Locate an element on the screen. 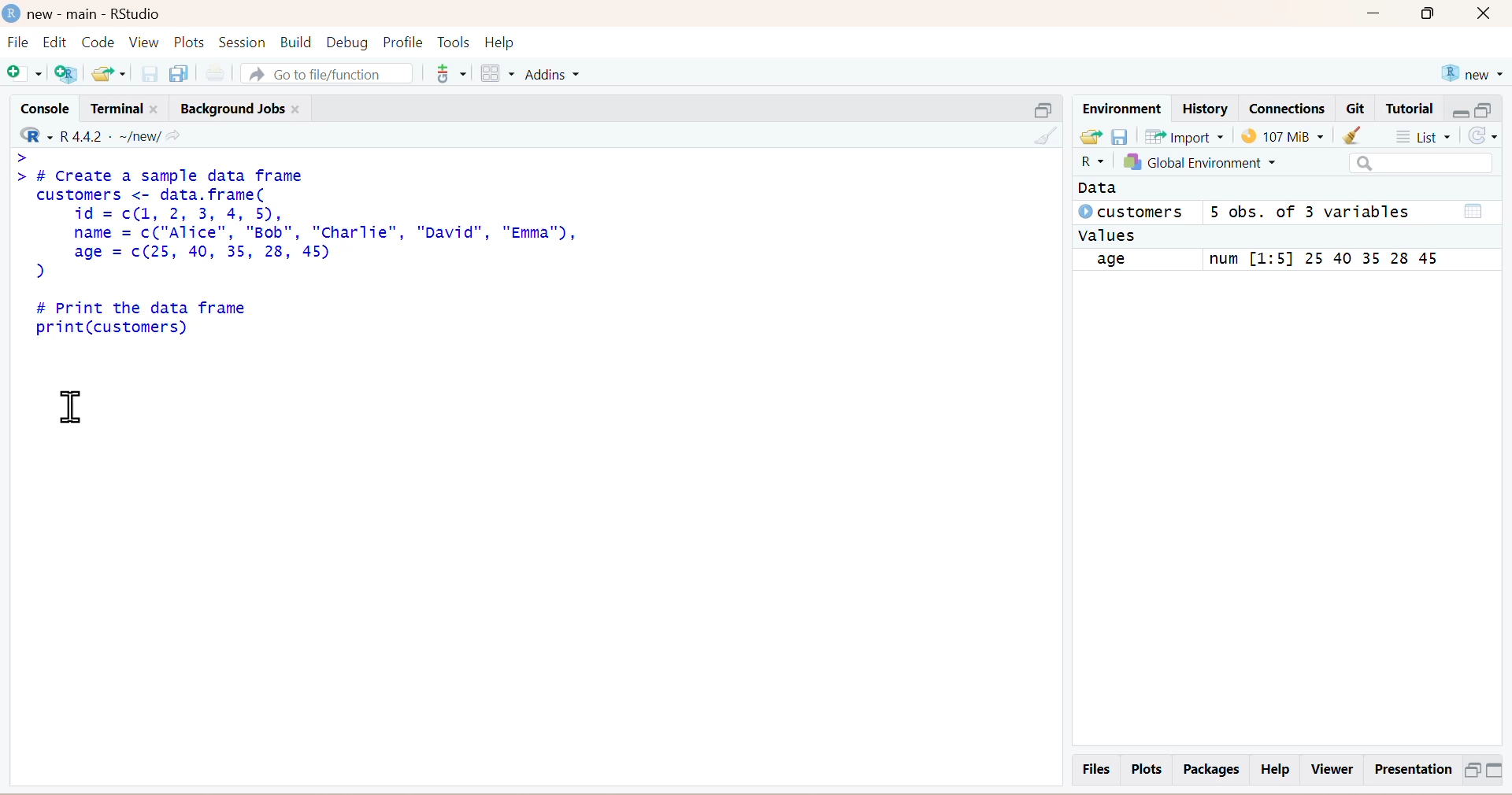 The width and height of the screenshot is (1512, 795). View is located at coordinates (145, 42).